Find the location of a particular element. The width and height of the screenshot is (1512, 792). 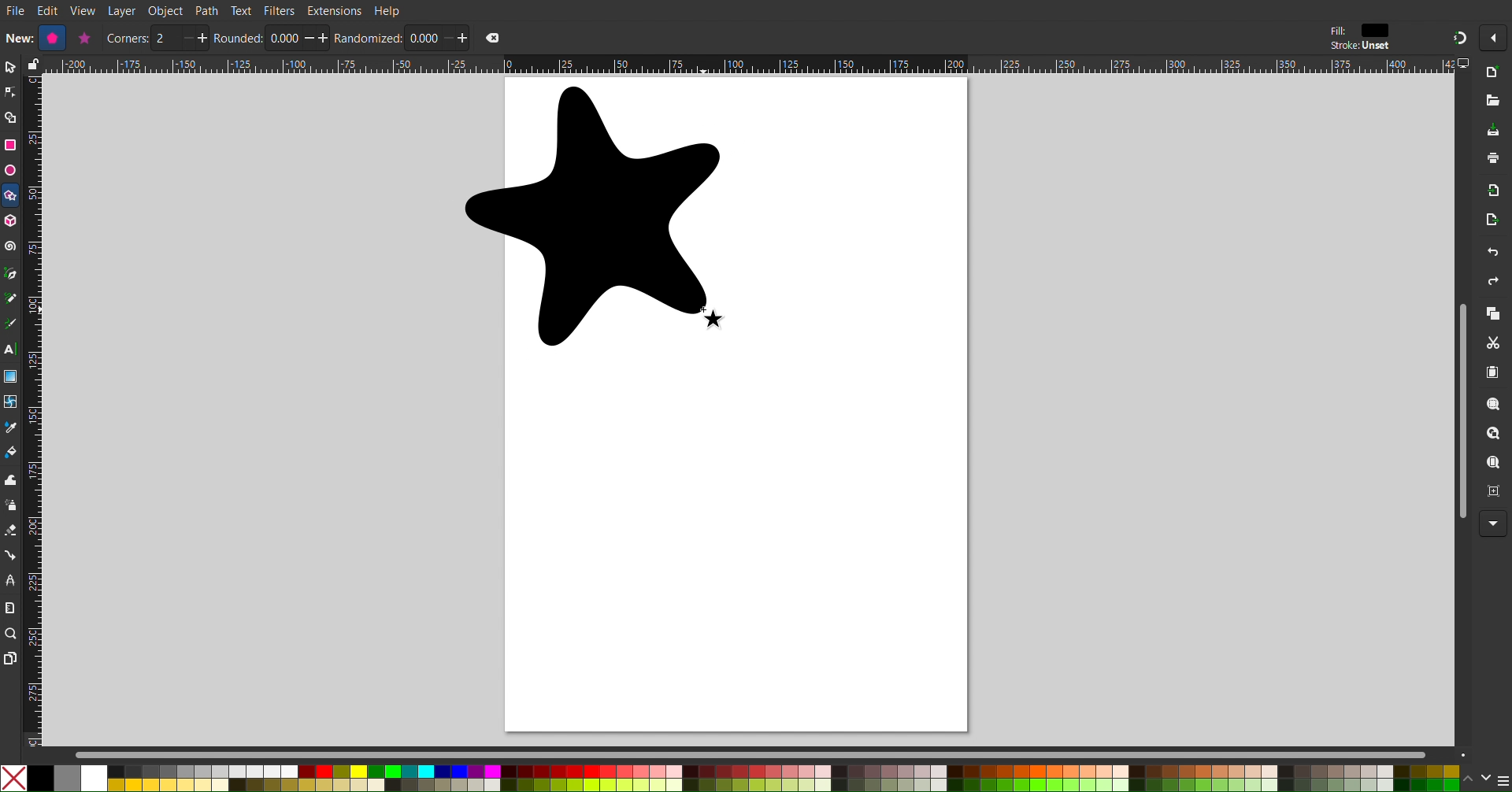

menu is located at coordinates (1503, 780).